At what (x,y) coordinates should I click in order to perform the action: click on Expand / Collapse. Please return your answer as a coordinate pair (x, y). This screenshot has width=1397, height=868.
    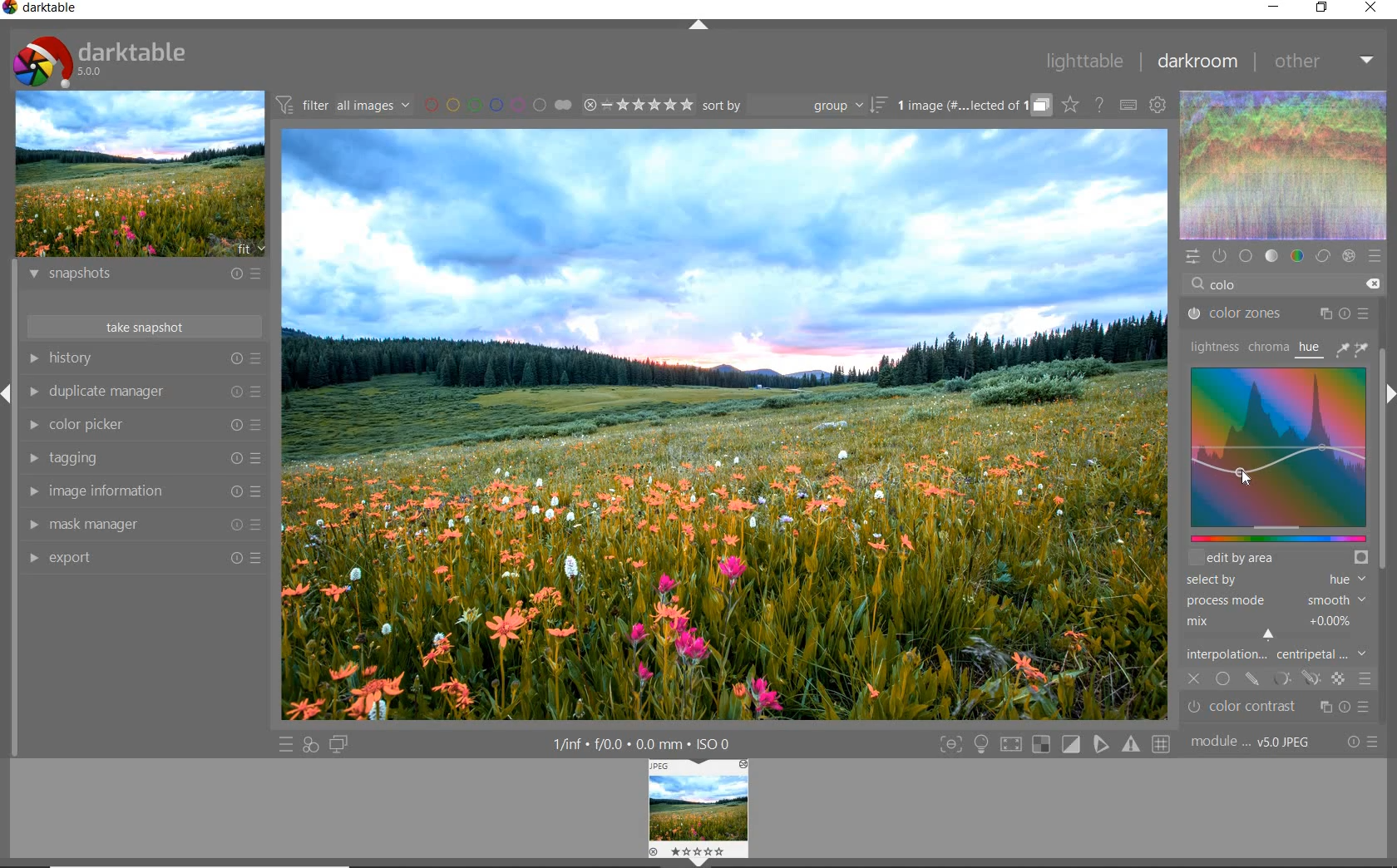
    Looking at the image, I should click on (8, 392).